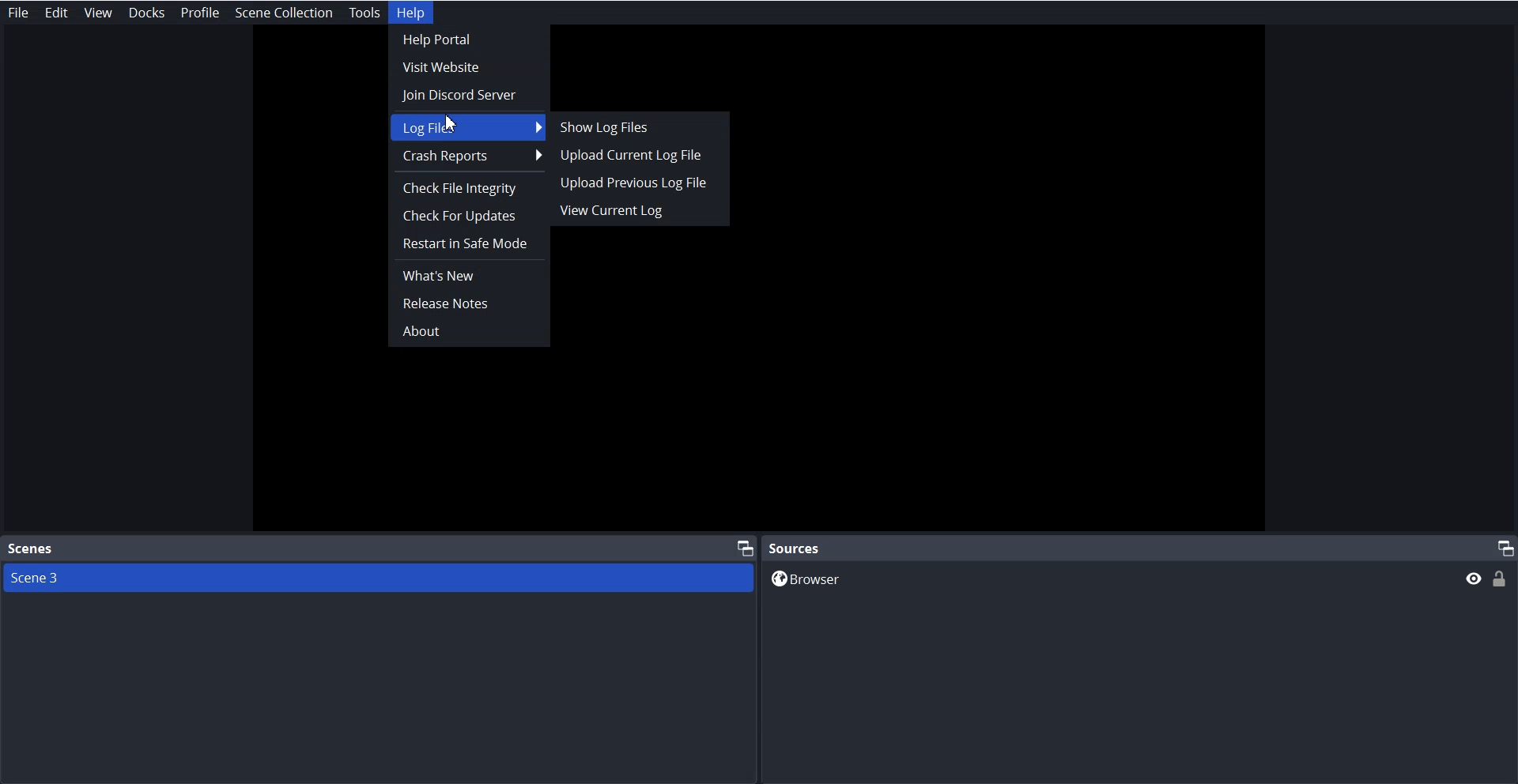 The width and height of the screenshot is (1518, 784). I want to click on Join Discord Server, so click(469, 94).